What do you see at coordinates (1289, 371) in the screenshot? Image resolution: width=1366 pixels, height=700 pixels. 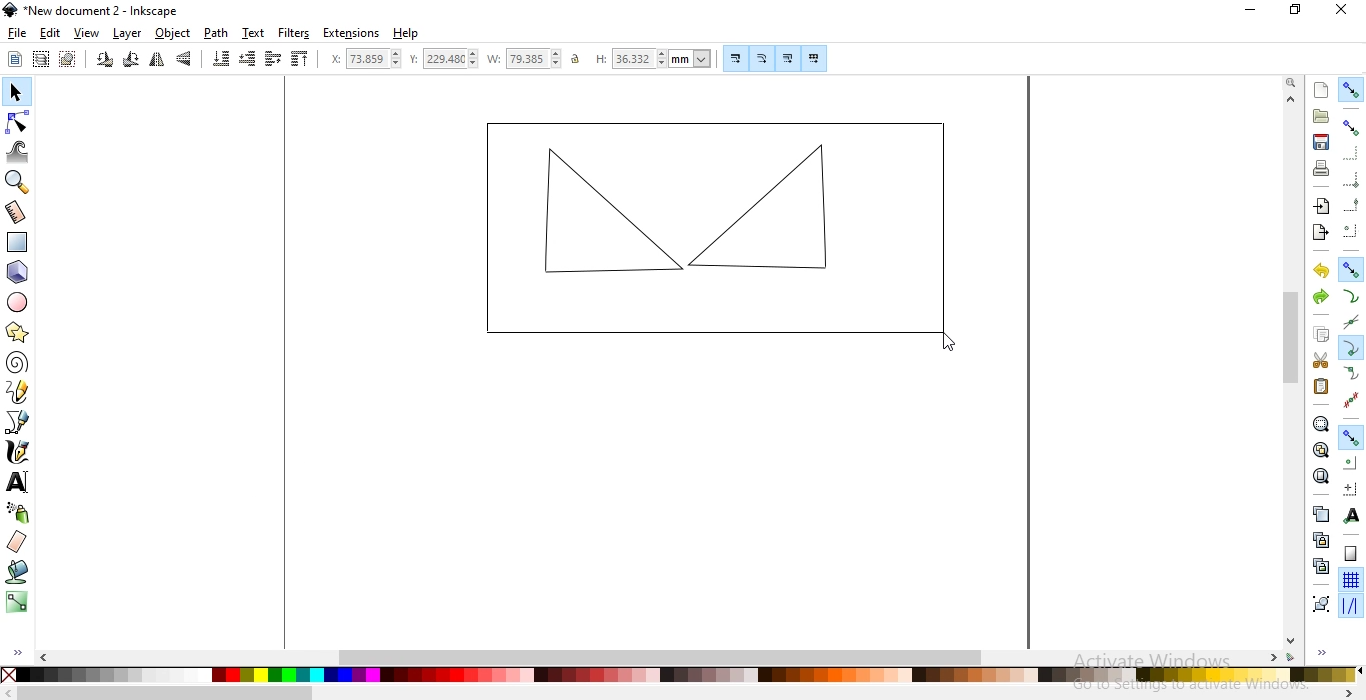 I see `scrollbar` at bounding box center [1289, 371].